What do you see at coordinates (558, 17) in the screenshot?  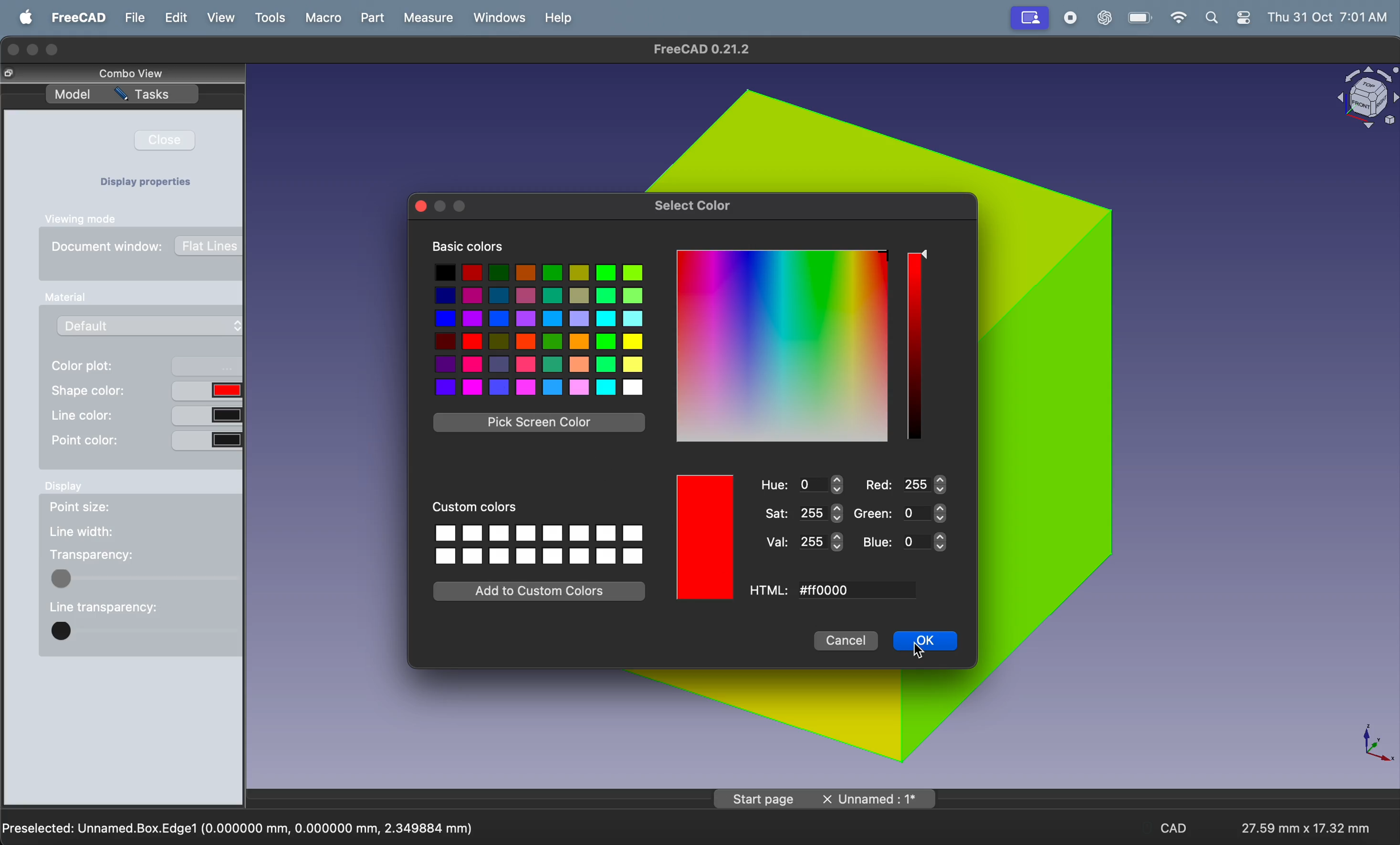 I see `help` at bounding box center [558, 17].